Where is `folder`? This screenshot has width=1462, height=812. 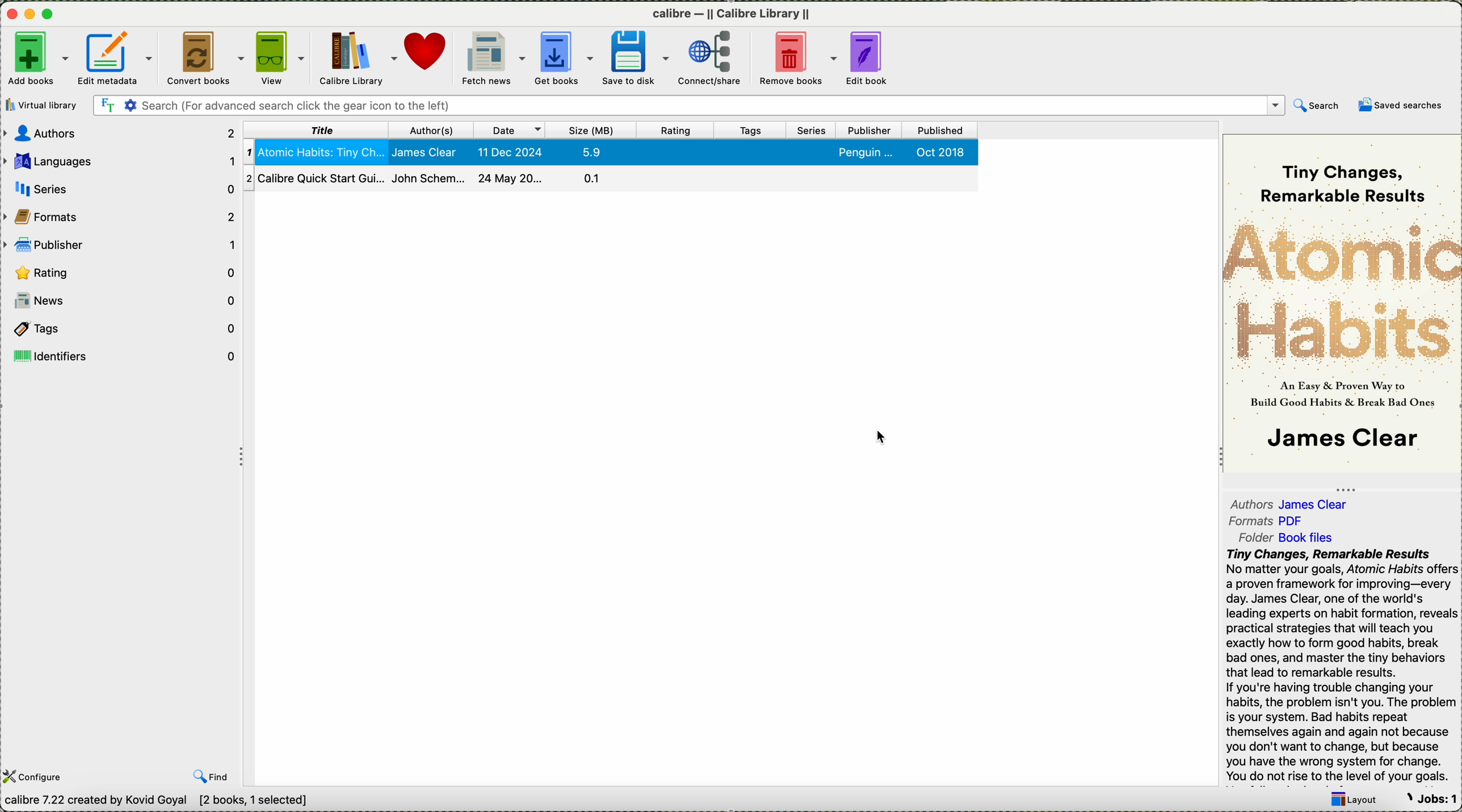
folder is located at coordinates (1290, 538).